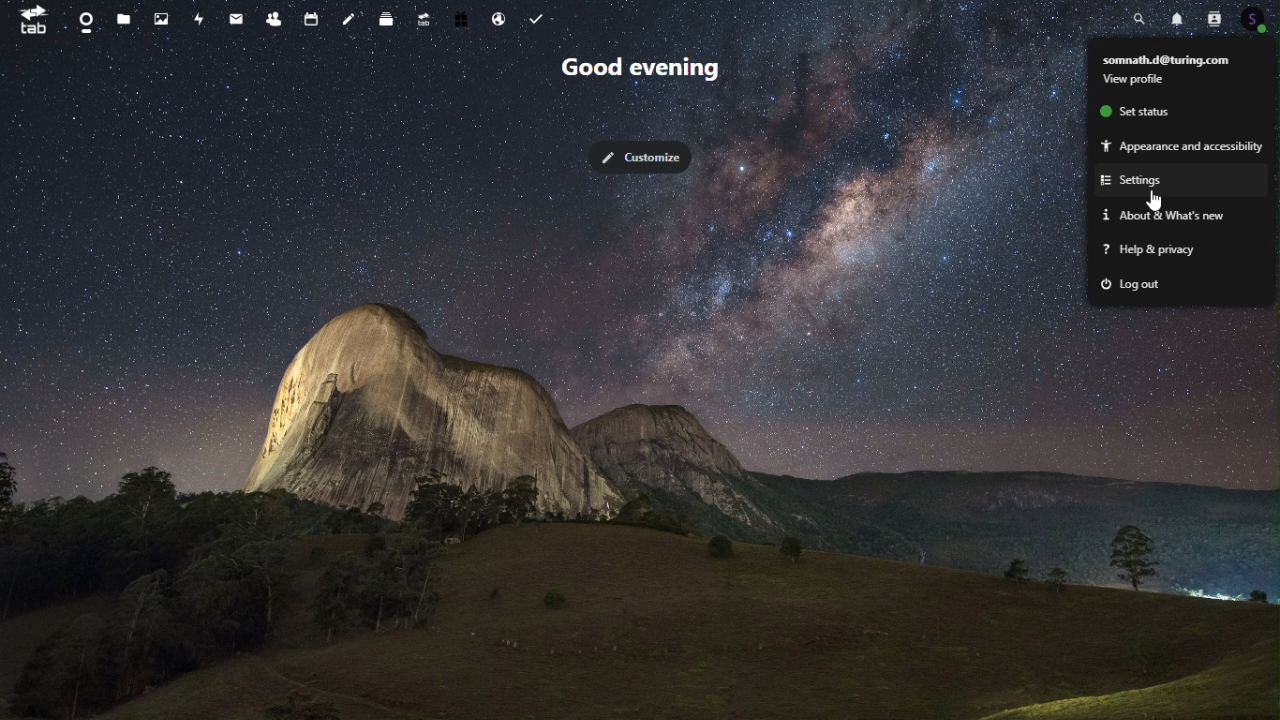 The height and width of the screenshot is (720, 1280). What do you see at coordinates (638, 158) in the screenshot?
I see `customize` at bounding box center [638, 158].